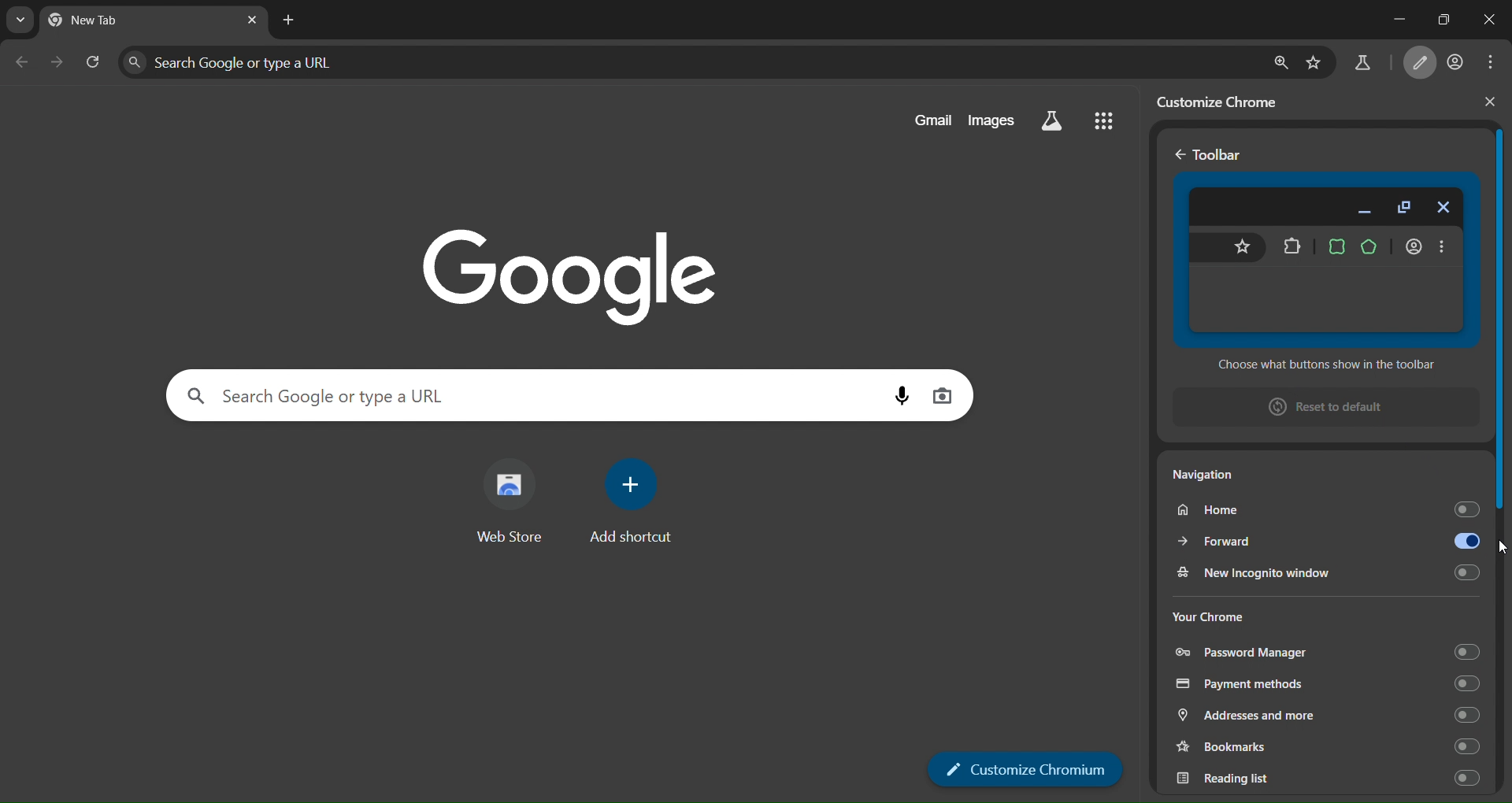  What do you see at coordinates (991, 120) in the screenshot?
I see `images` at bounding box center [991, 120].